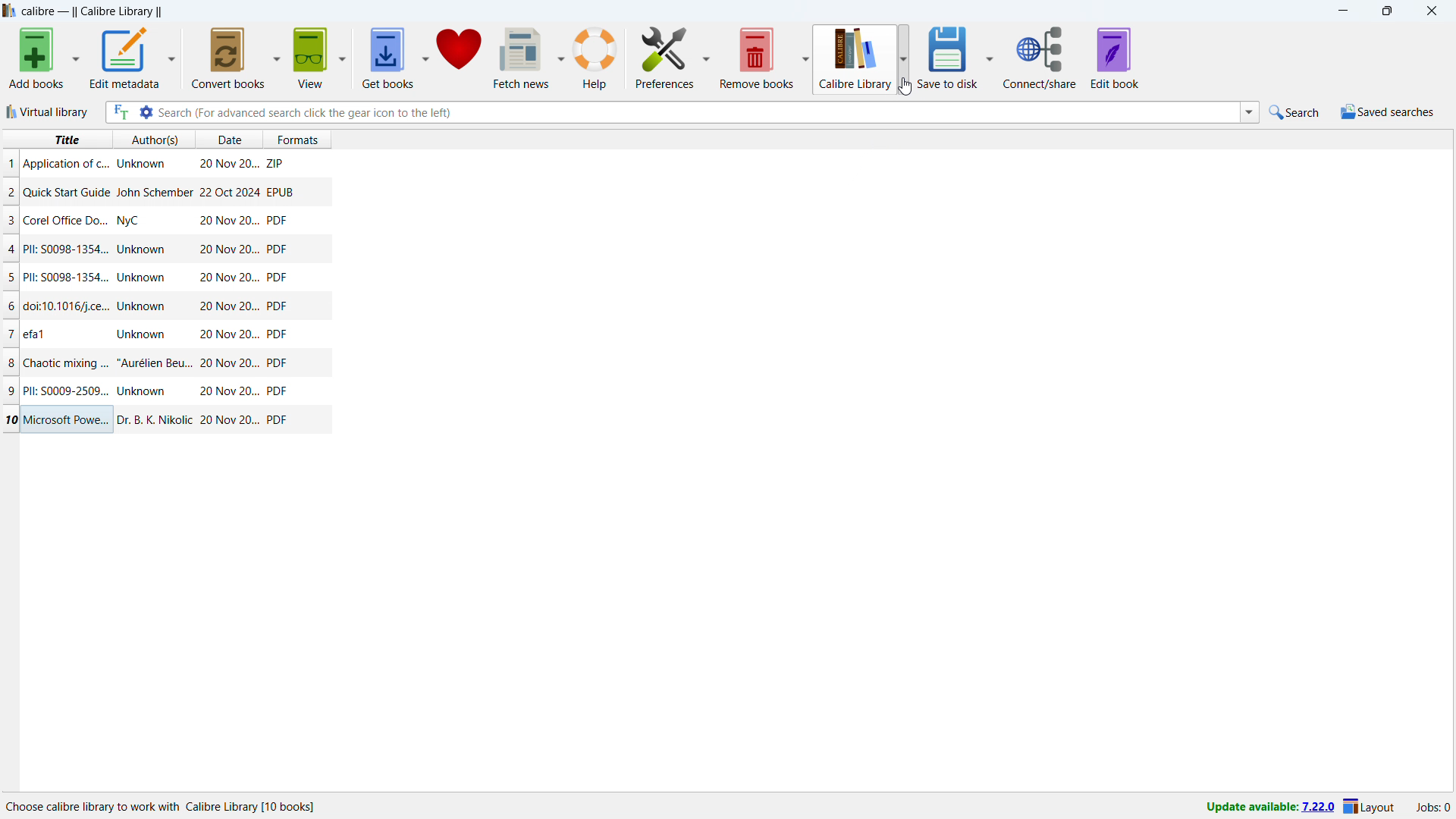 The width and height of the screenshot is (1456, 819). Describe the element at coordinates (155, 140) in the screenshot. I see `authors` at that location.